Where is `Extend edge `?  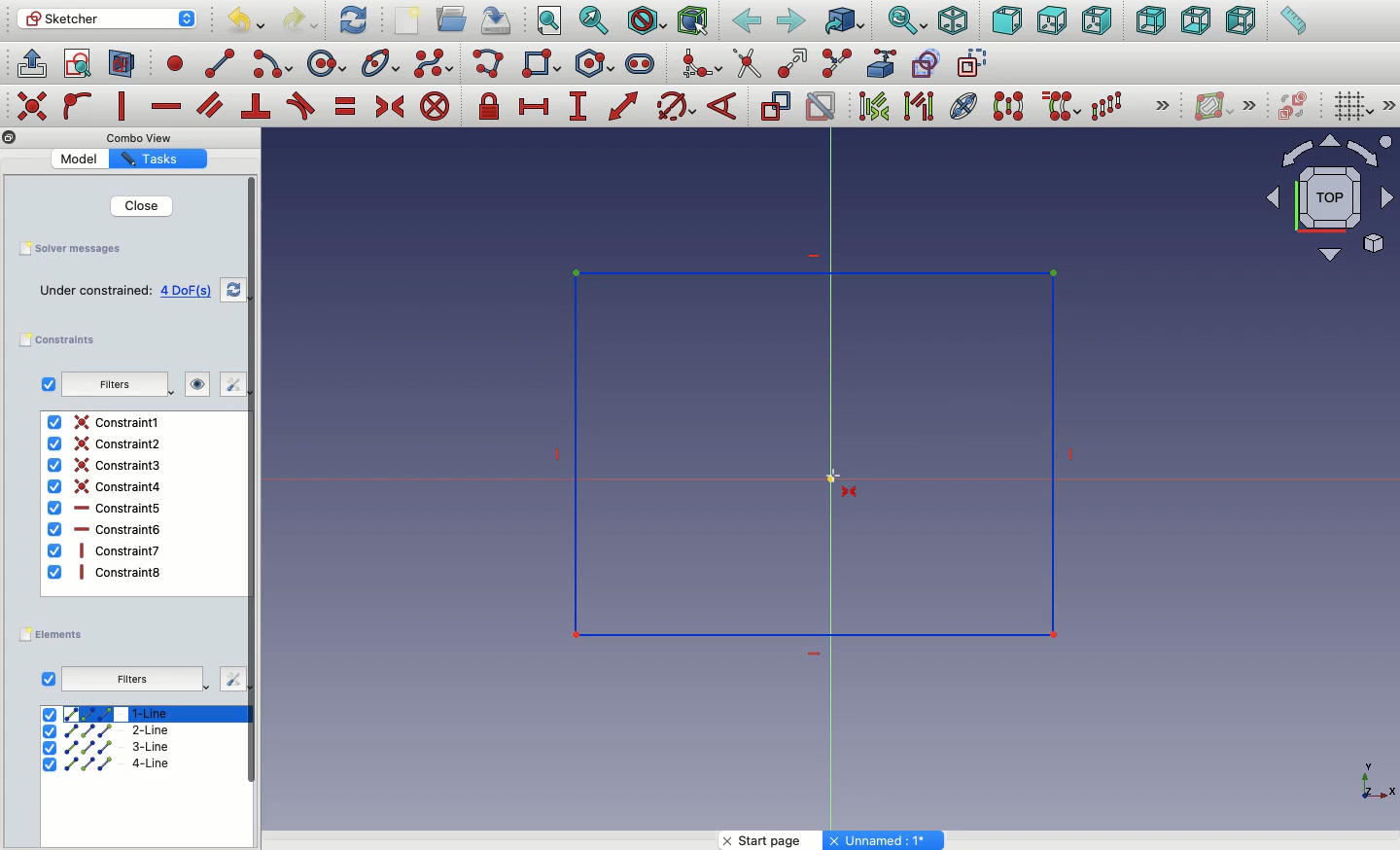 Extend edge  is located at coordinates (795, 64).